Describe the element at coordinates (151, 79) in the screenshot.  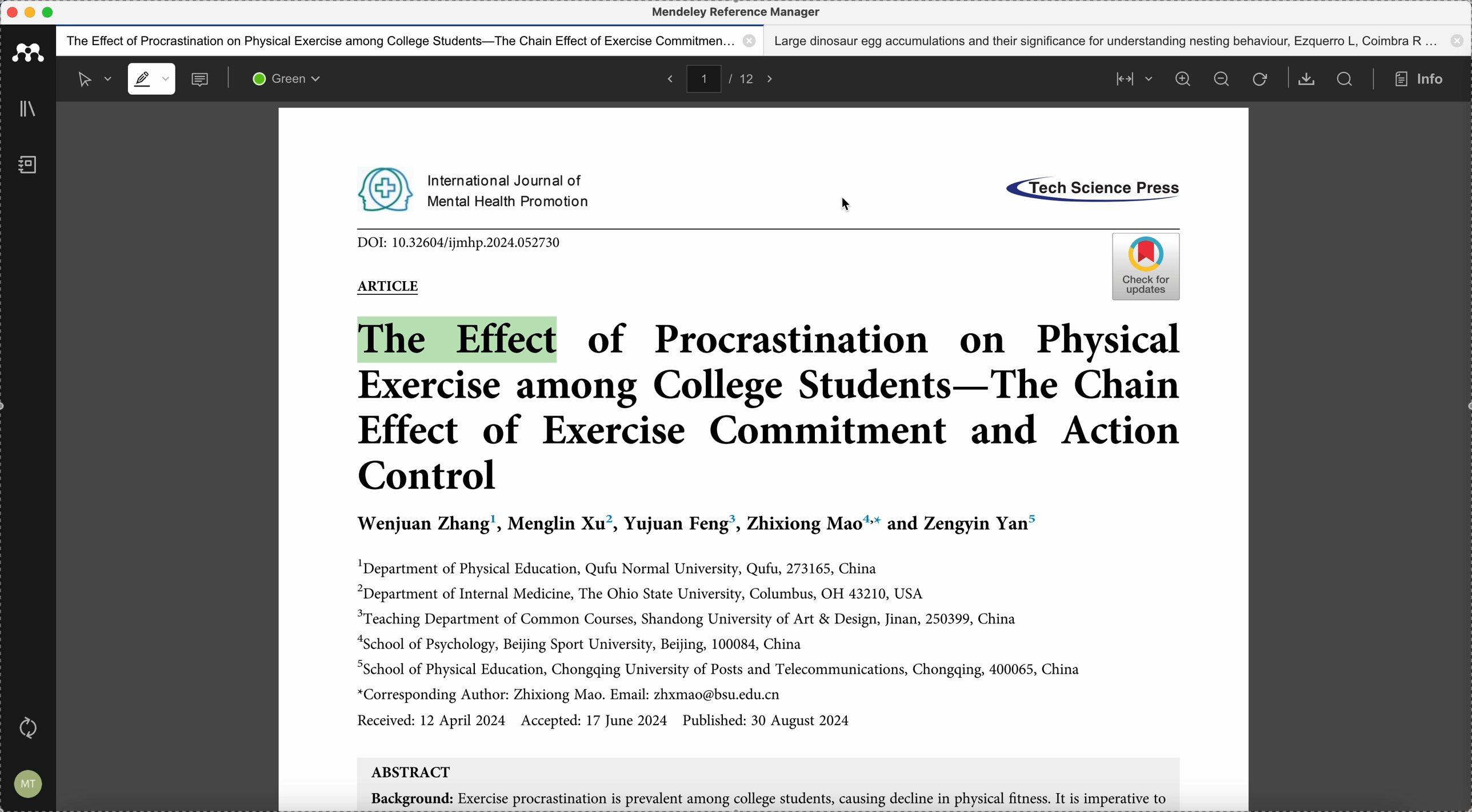
I see `highlight mode` at that location.